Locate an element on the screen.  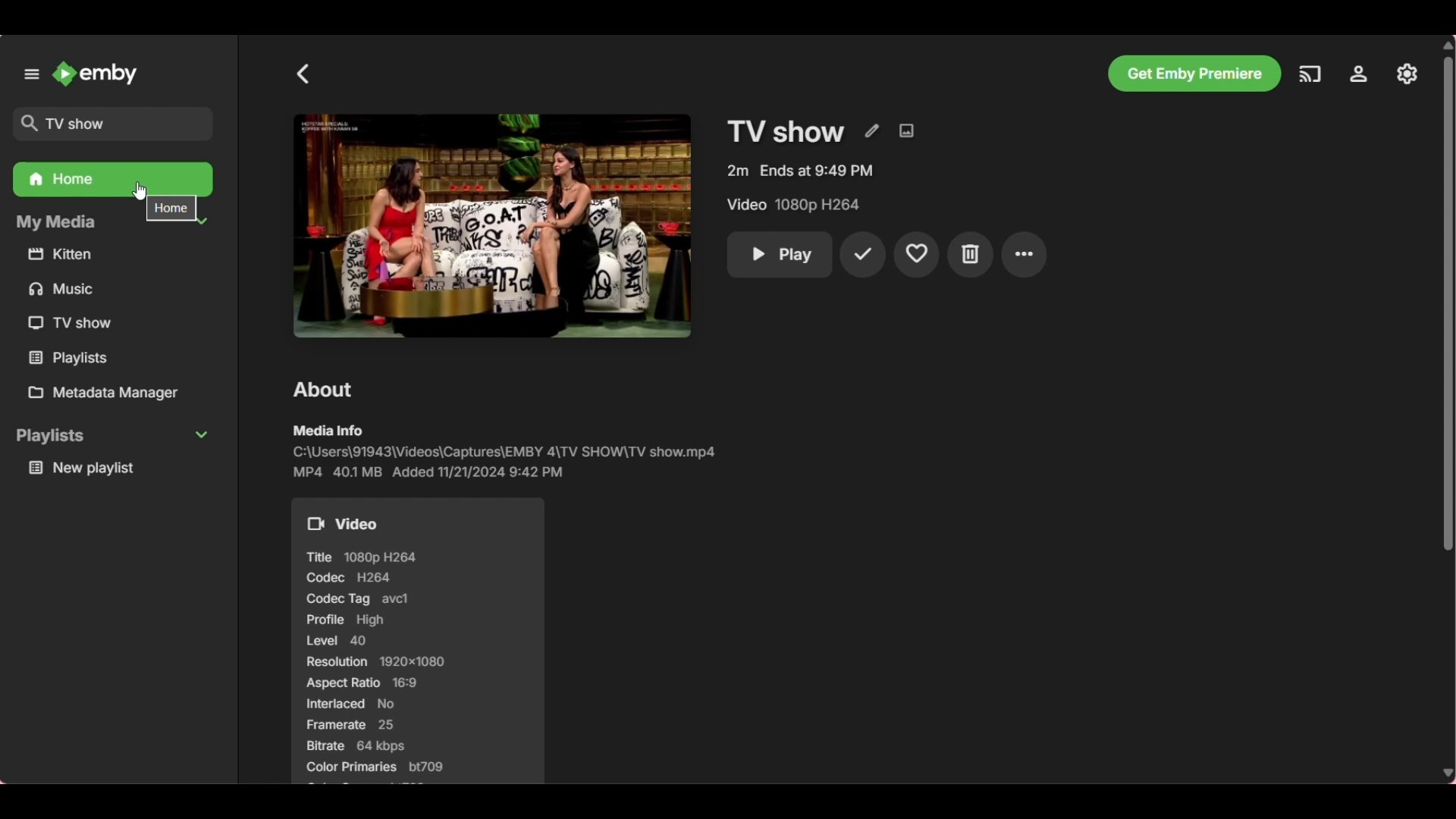
home is located at coordinates (173, 206).